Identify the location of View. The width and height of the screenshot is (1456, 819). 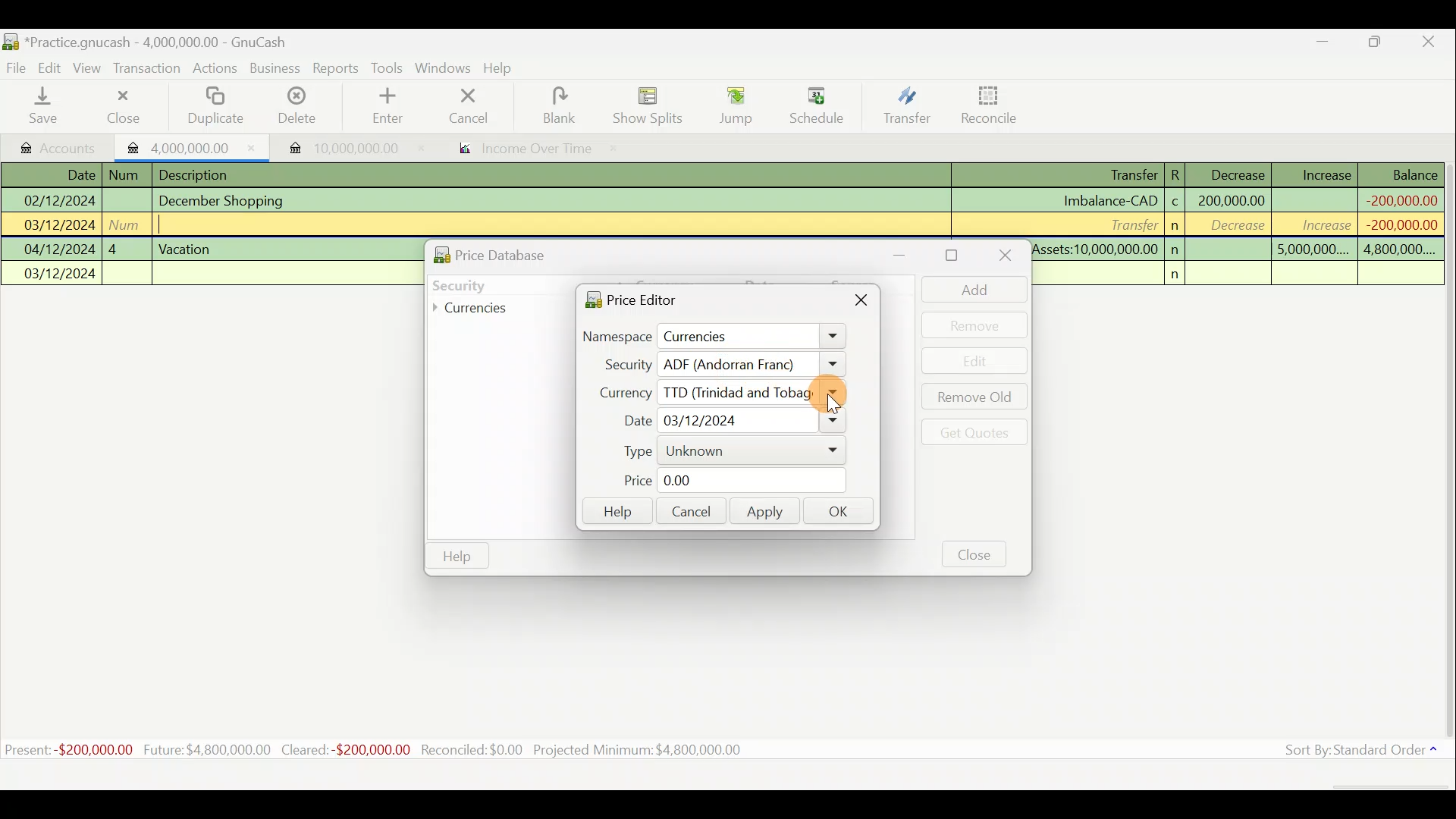
(92, 67).